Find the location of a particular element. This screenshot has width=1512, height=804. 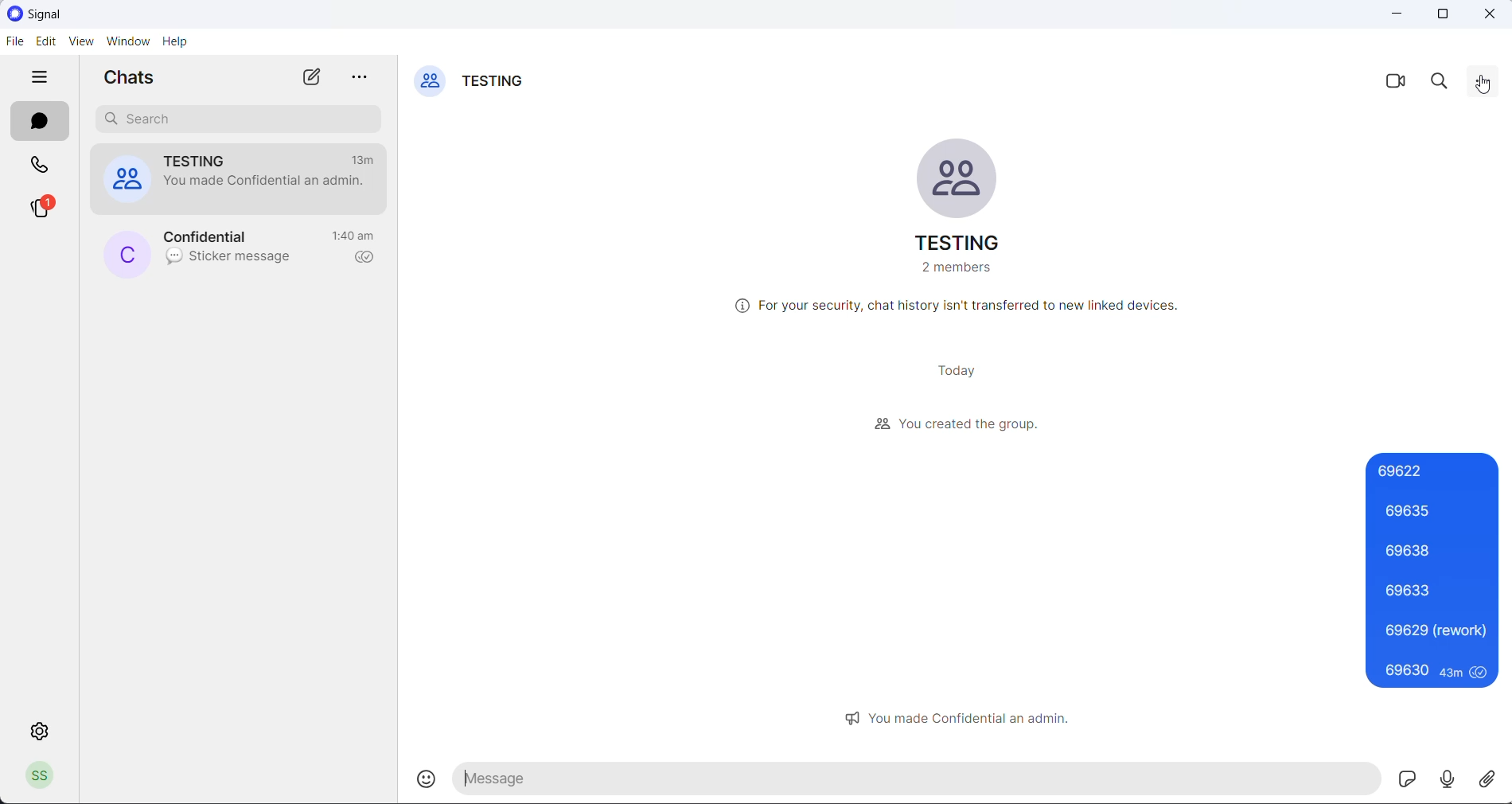

69622 69635 69638 69633 69629 (rework)69630 43m seen is located at coordinates (1434, 569).